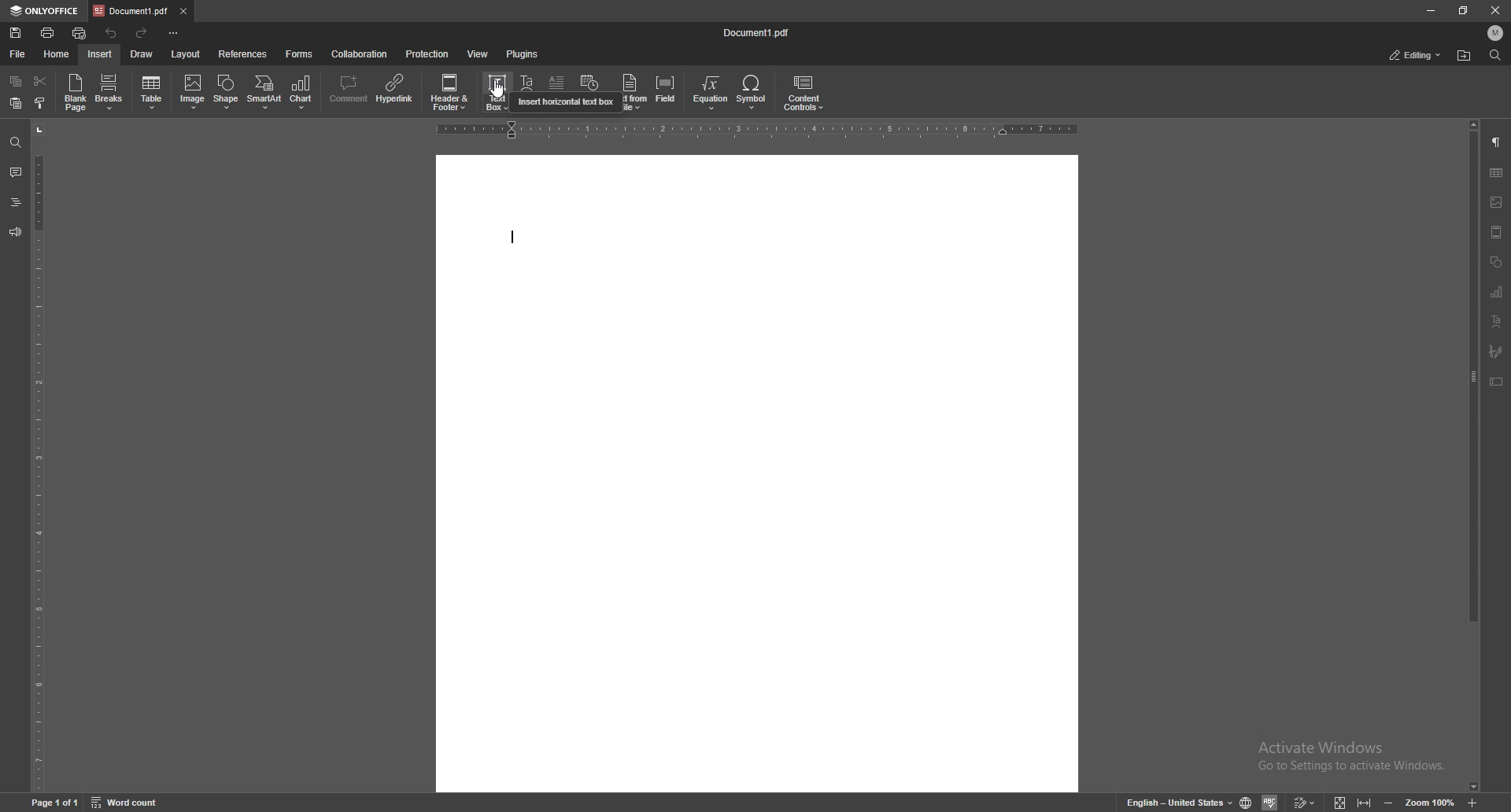 Image resolution: width=1511 pixels, height=812 pixels. What do you see at coordinates (1350, 803) in the screenshot?
I see `expand` at bounding box center [1350, 803].